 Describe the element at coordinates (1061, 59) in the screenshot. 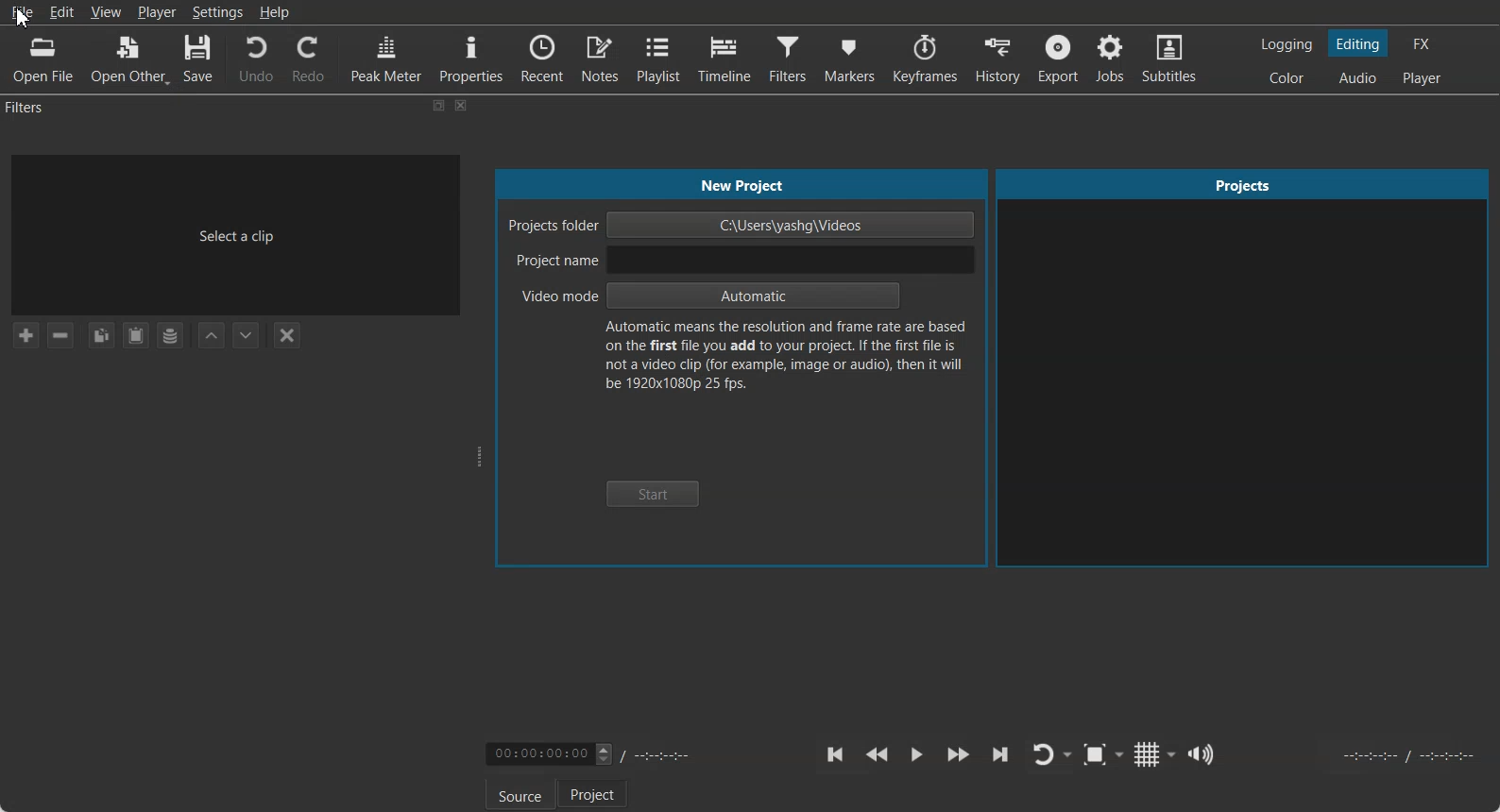

I see `Export` at that location.